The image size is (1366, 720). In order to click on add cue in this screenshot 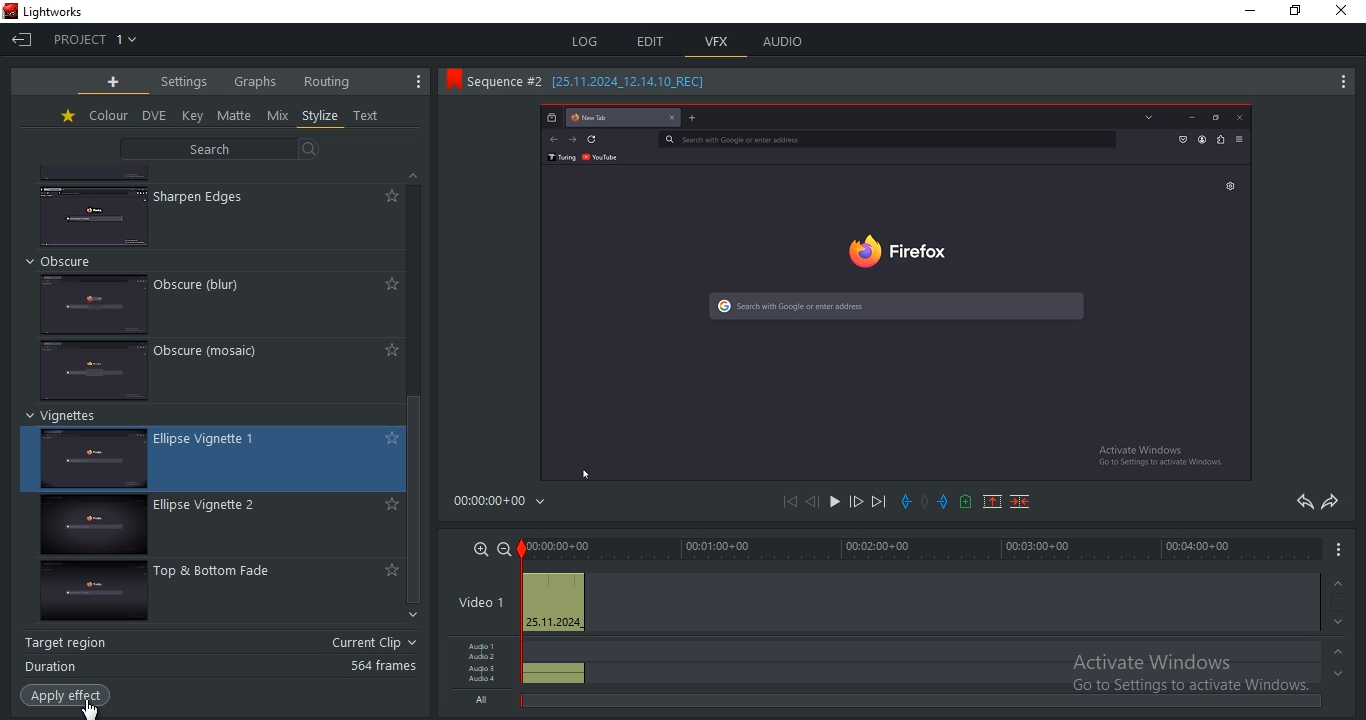, I will do `click(965, 502)`.